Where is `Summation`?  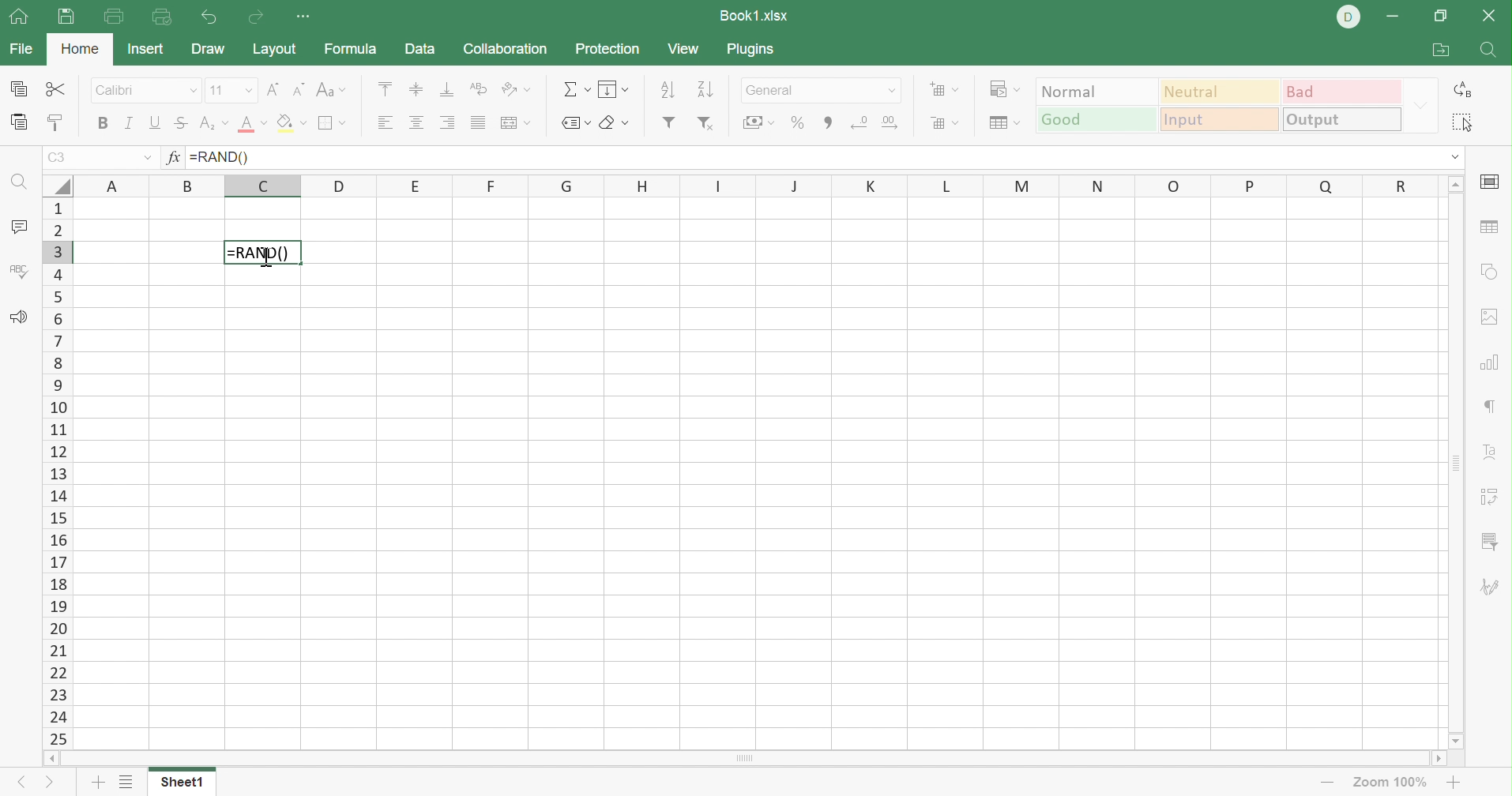
Summation is located at coordinates (574, 89).